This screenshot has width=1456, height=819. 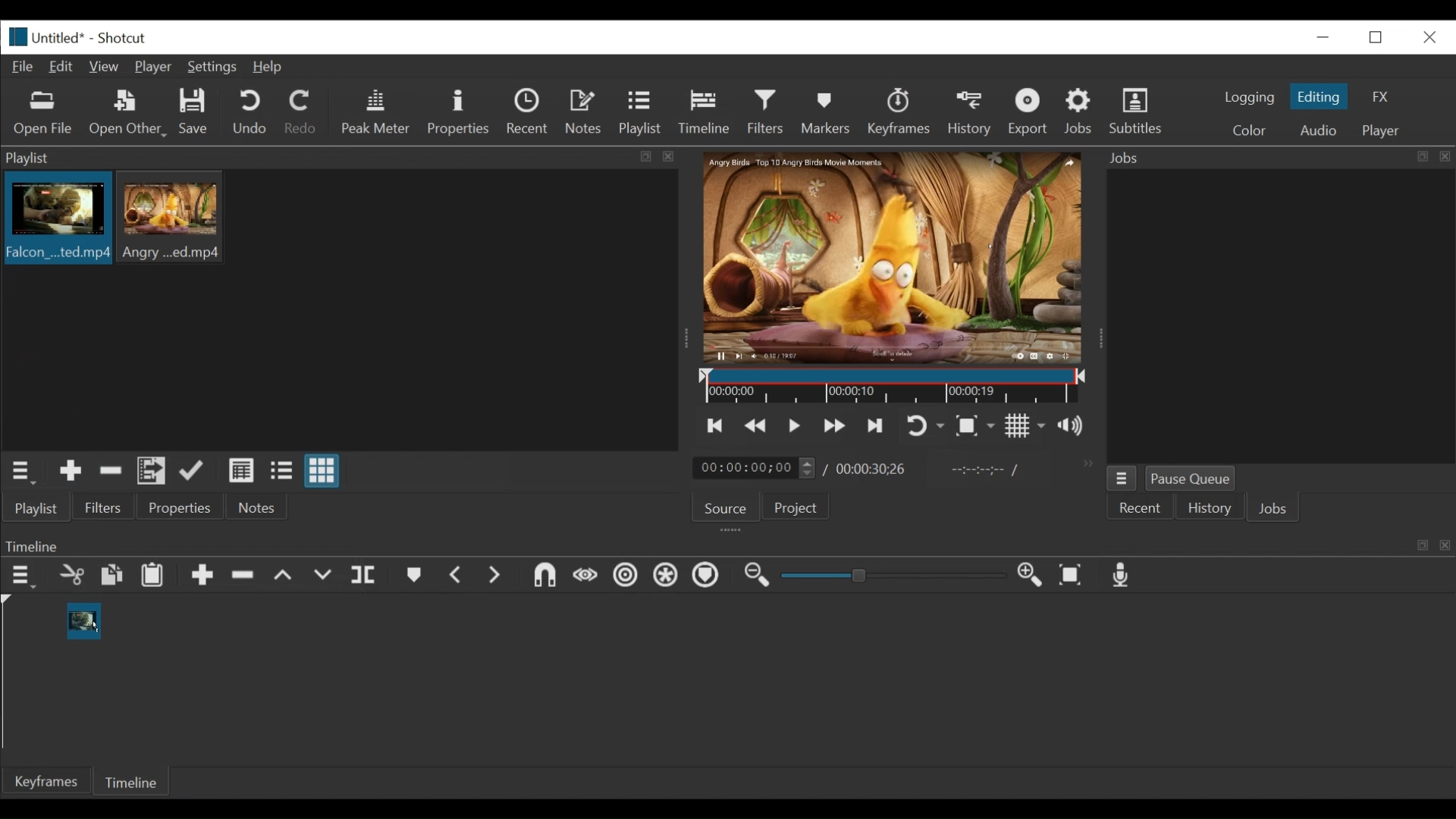 What do you see at coordinates (708, 109) in the screenshot?
I see `Timeline` at bounding box center [708, 109].